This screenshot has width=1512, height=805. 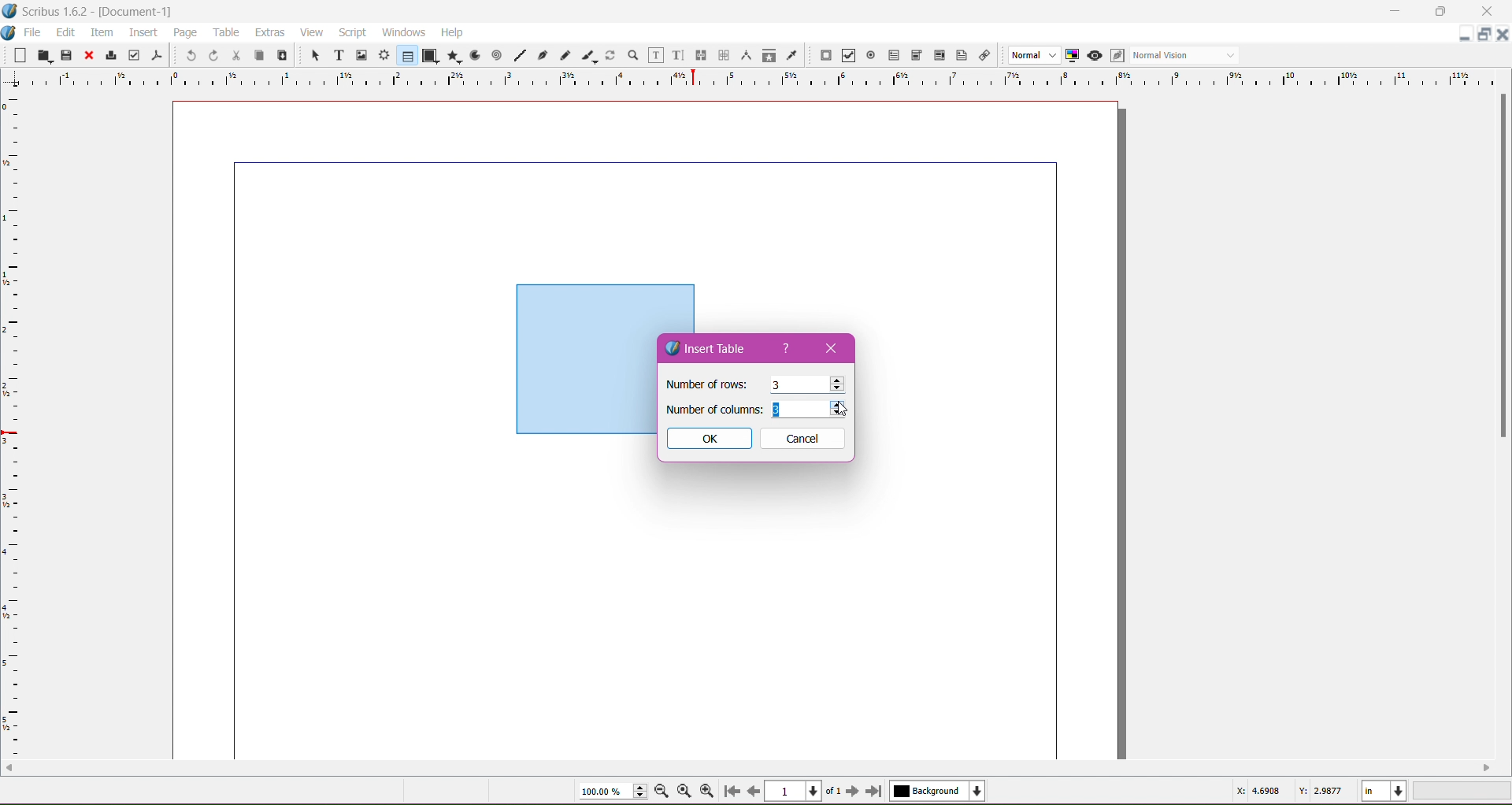 I want to click on PDF Radio Button, so click(x=868, y=57).